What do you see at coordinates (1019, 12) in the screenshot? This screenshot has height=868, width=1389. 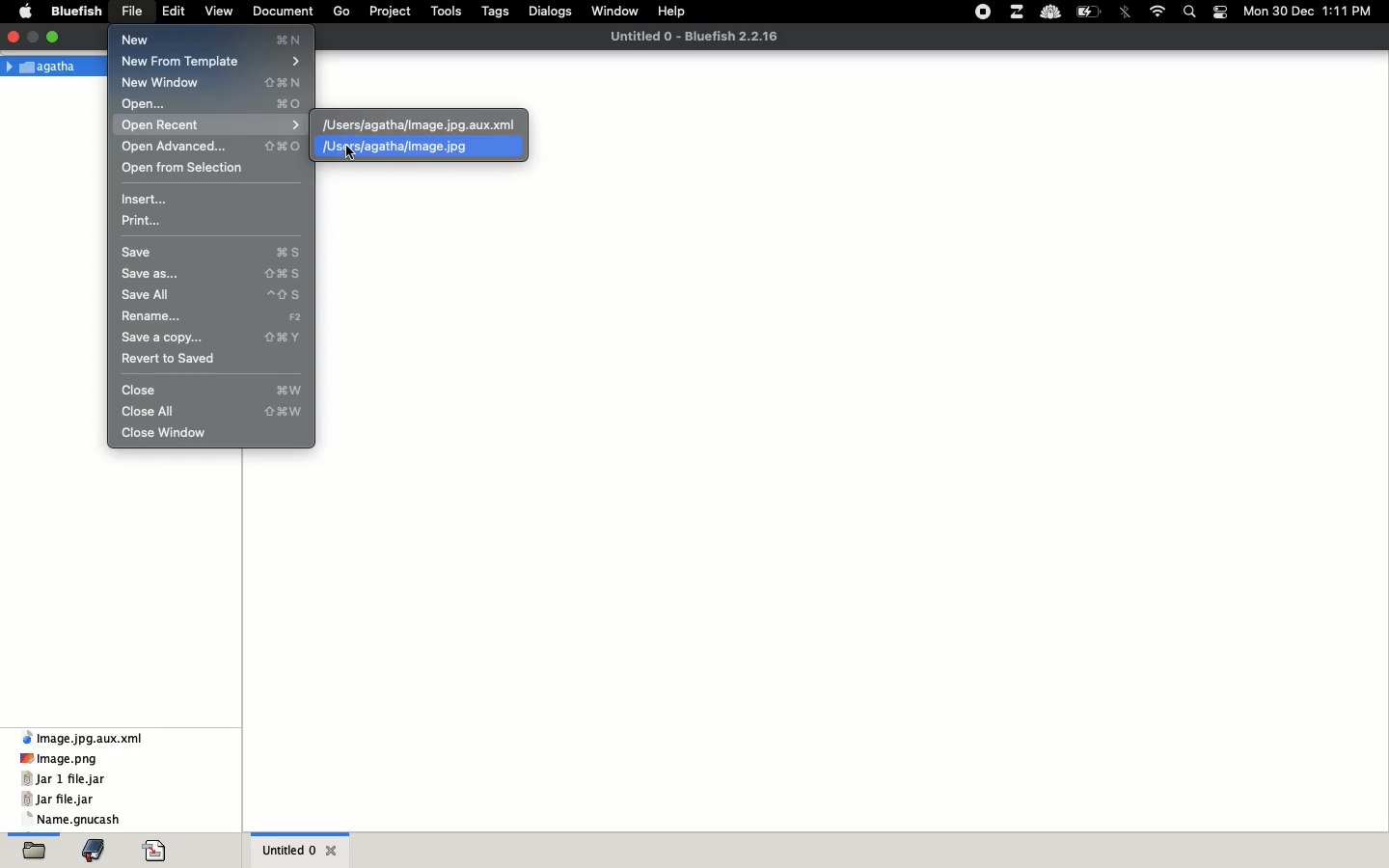 I see `zulip` at bounding box center [1019, 12].